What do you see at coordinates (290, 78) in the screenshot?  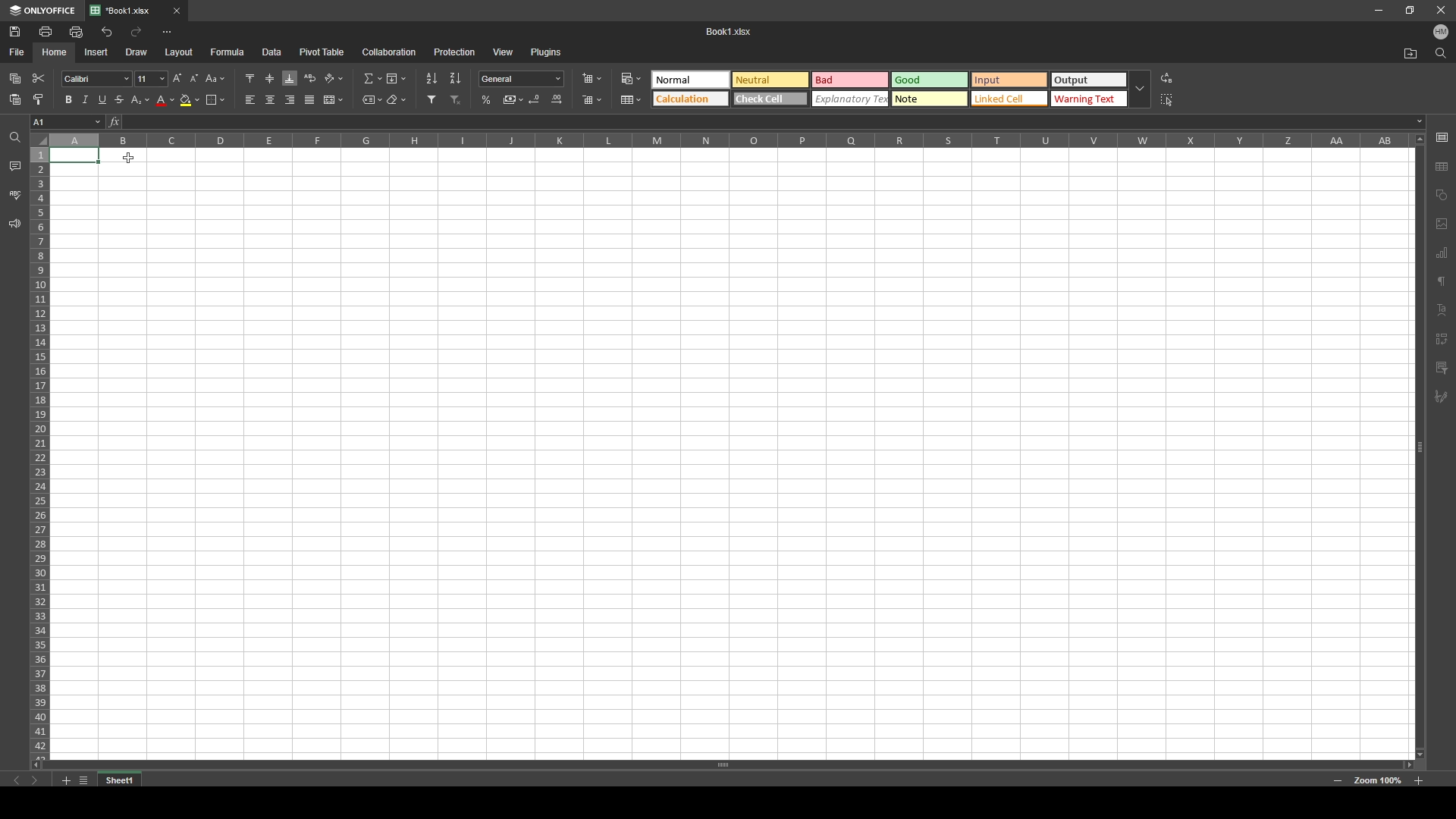 I see `align bottom` at bounding box center [290, 78].